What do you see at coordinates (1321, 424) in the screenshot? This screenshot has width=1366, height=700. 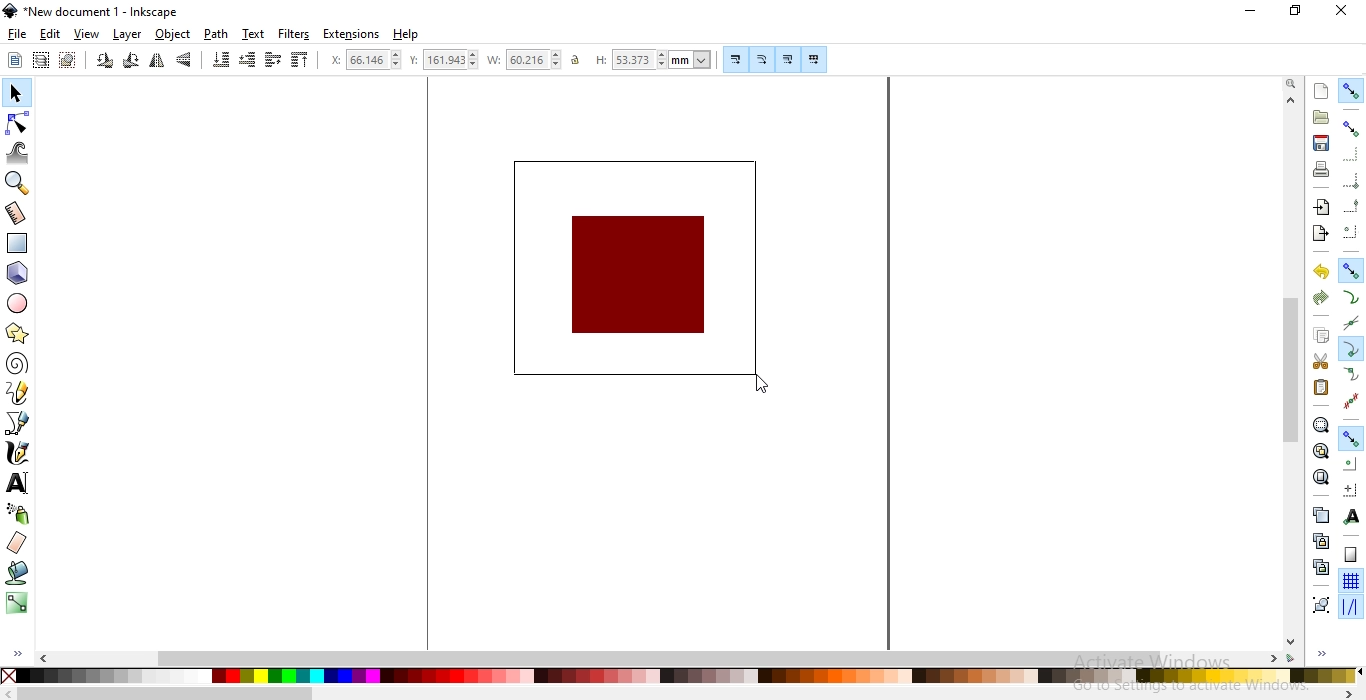 I see `zoom to fit selection` at bounding box center [1321, 424].